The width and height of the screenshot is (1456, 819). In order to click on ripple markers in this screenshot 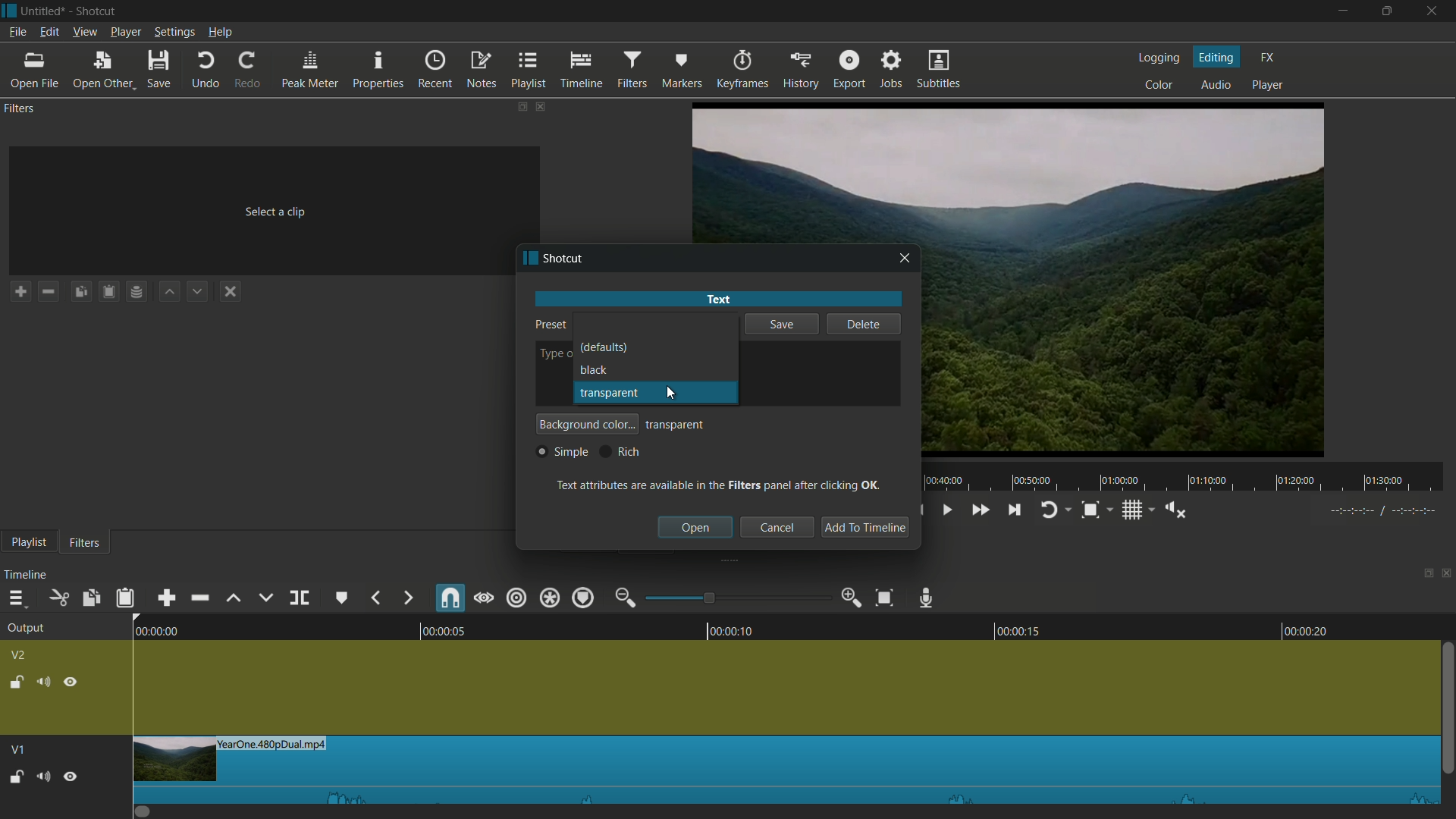, I will do `click(582, 598)`.